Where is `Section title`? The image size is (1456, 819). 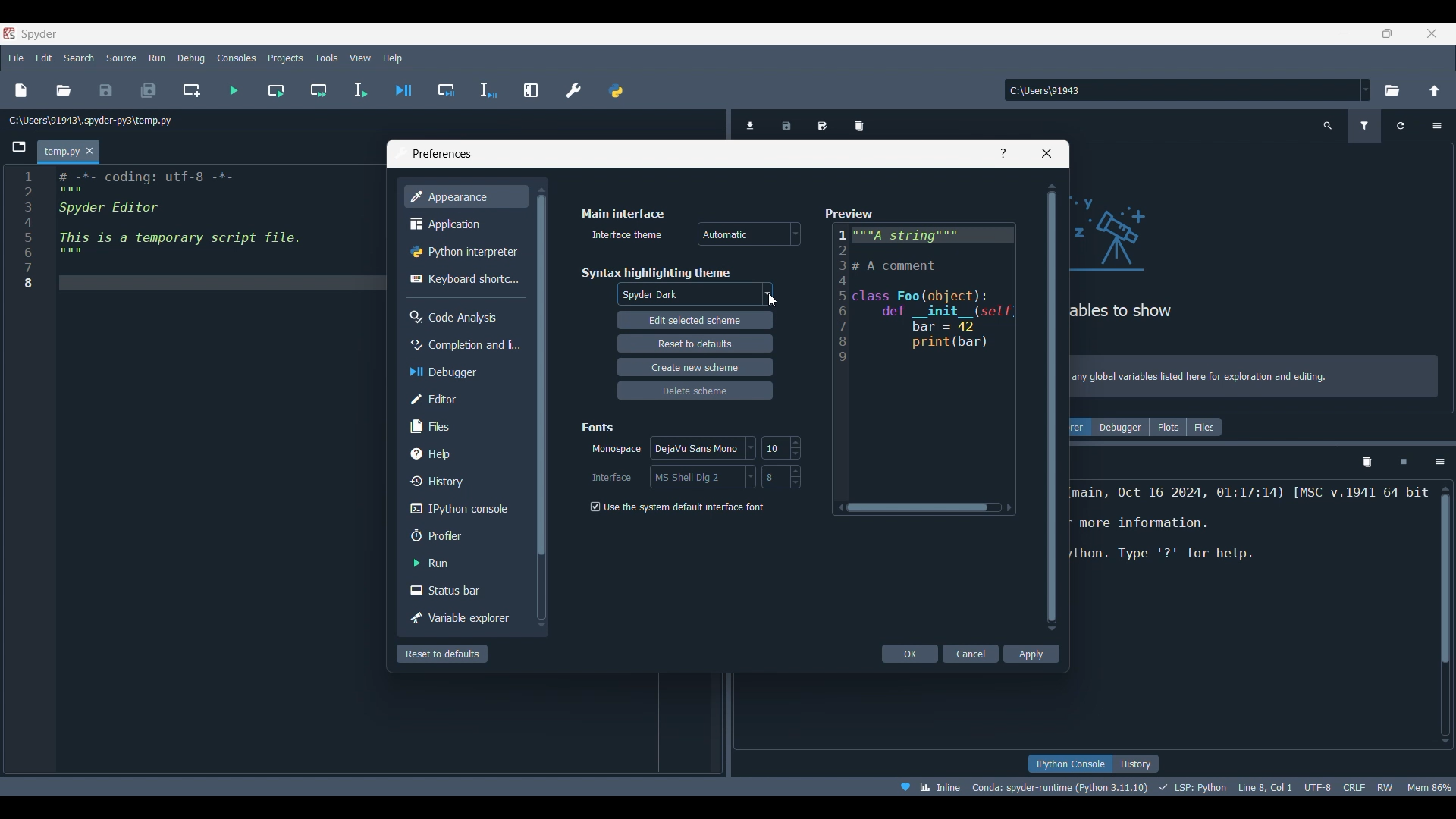
Section title is located at coordinates (623, 213).